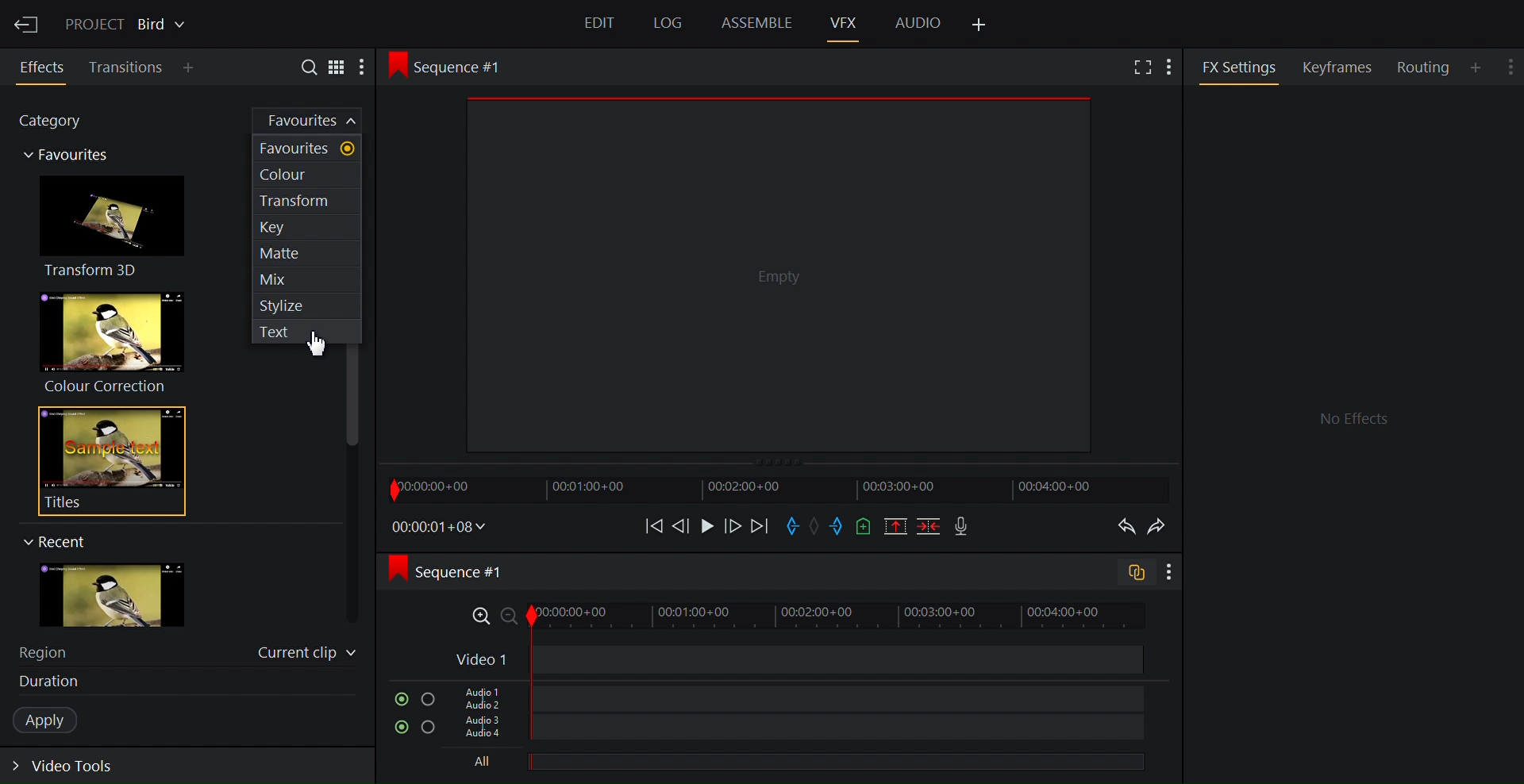 The image size is (1524, 784). What do you see at coordinates (817, 525) in the screenshot?
I see `Clear marks` at bounding box center [817, 525].